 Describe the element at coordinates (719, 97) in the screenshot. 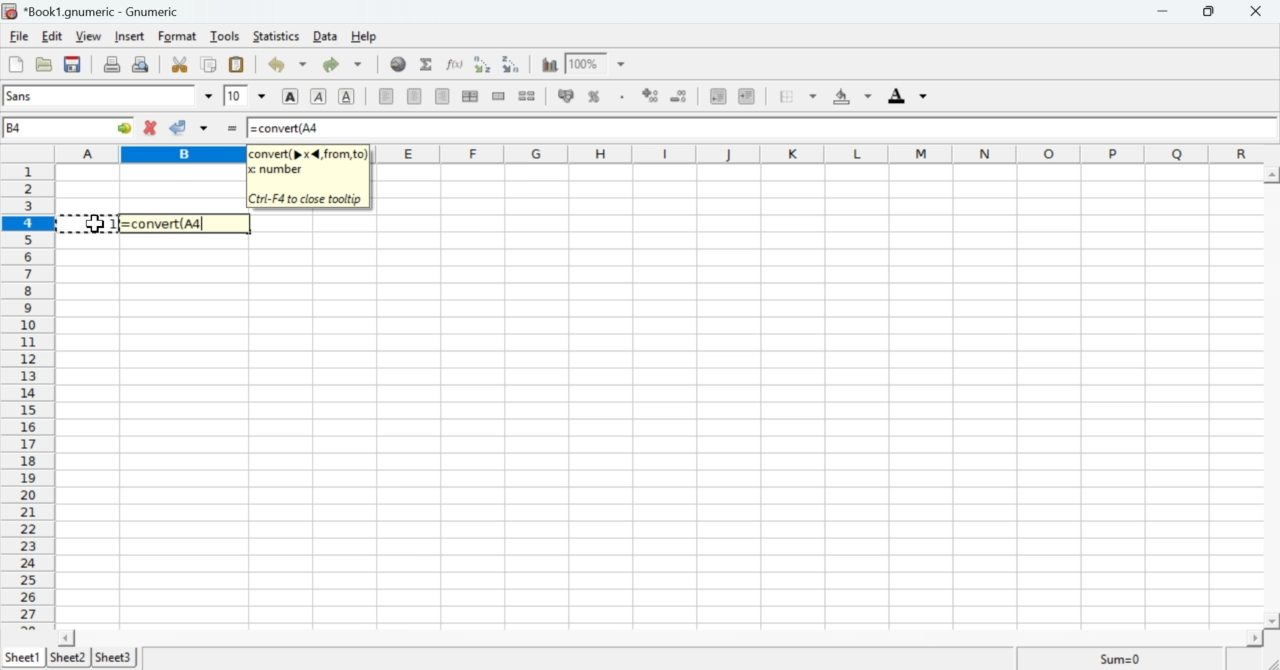

I see `Decrease indent, align to left.` at that location.